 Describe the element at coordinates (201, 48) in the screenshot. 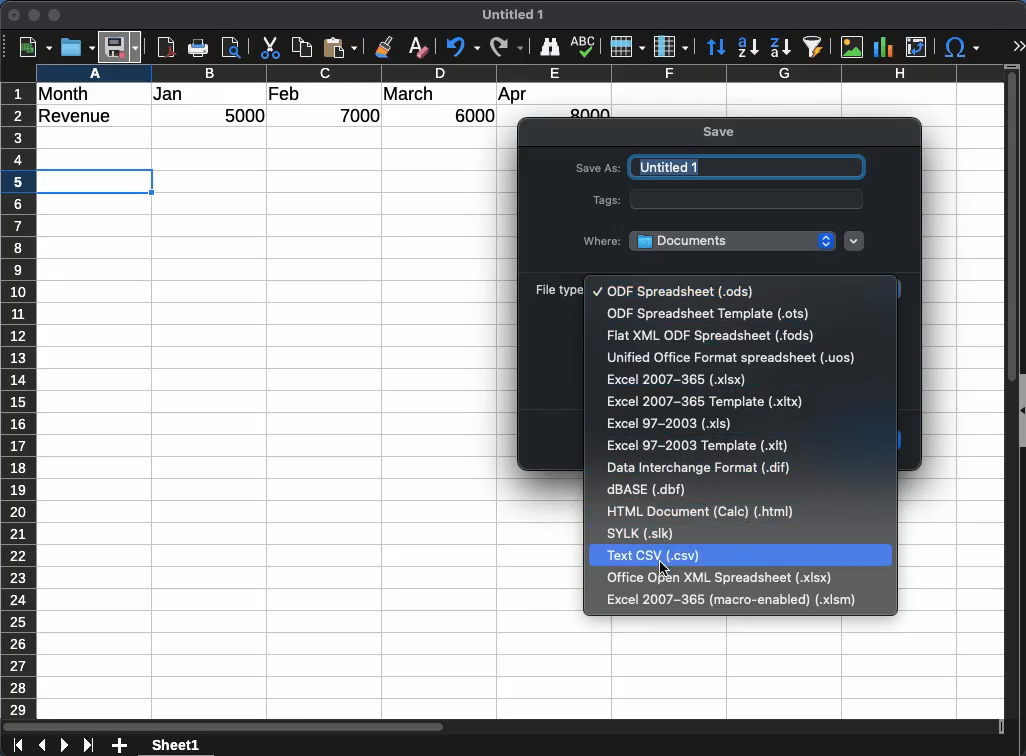

I see `Print` at that location.